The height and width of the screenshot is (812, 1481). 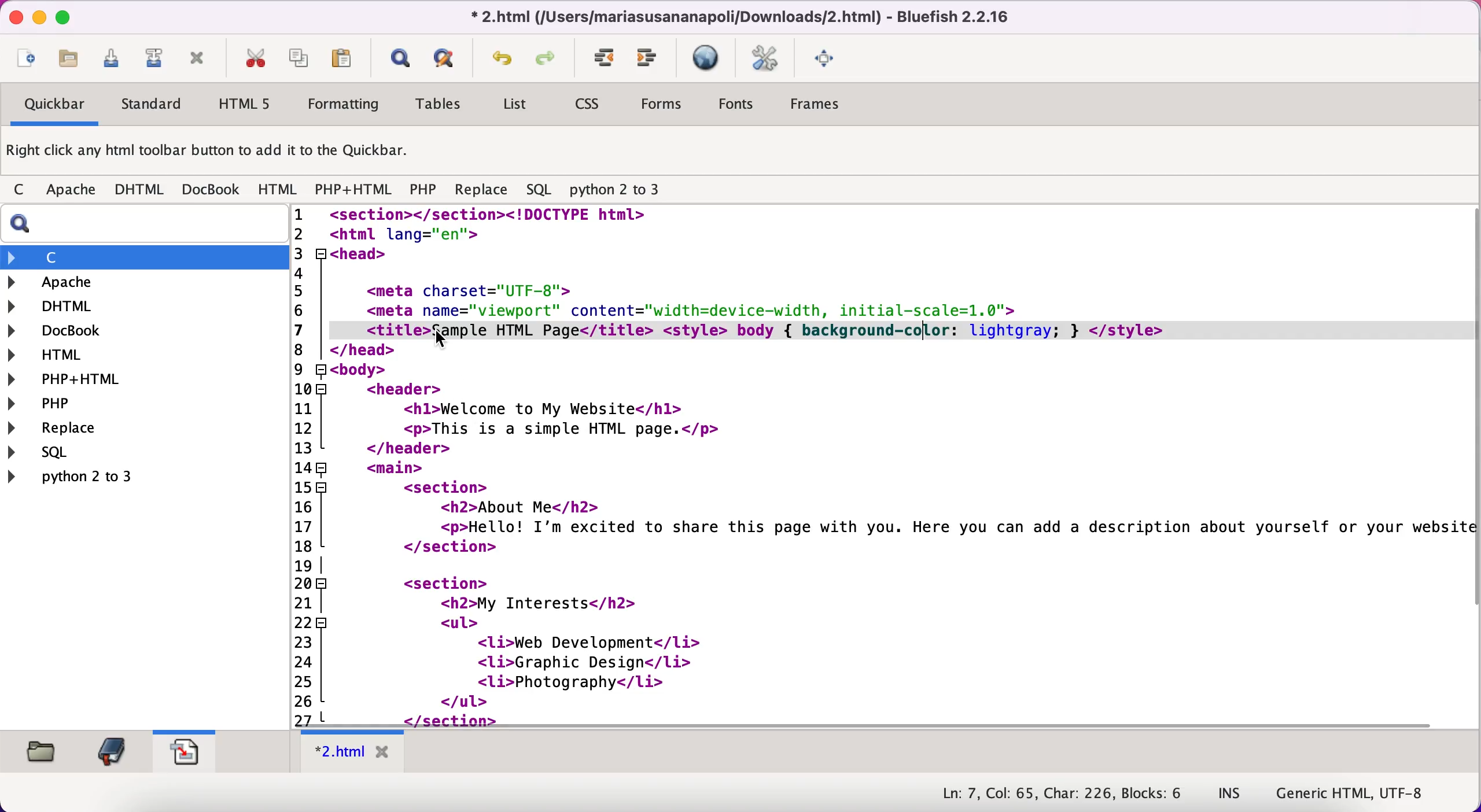 I want to click on bookmarks, so click(x=111, y=751).